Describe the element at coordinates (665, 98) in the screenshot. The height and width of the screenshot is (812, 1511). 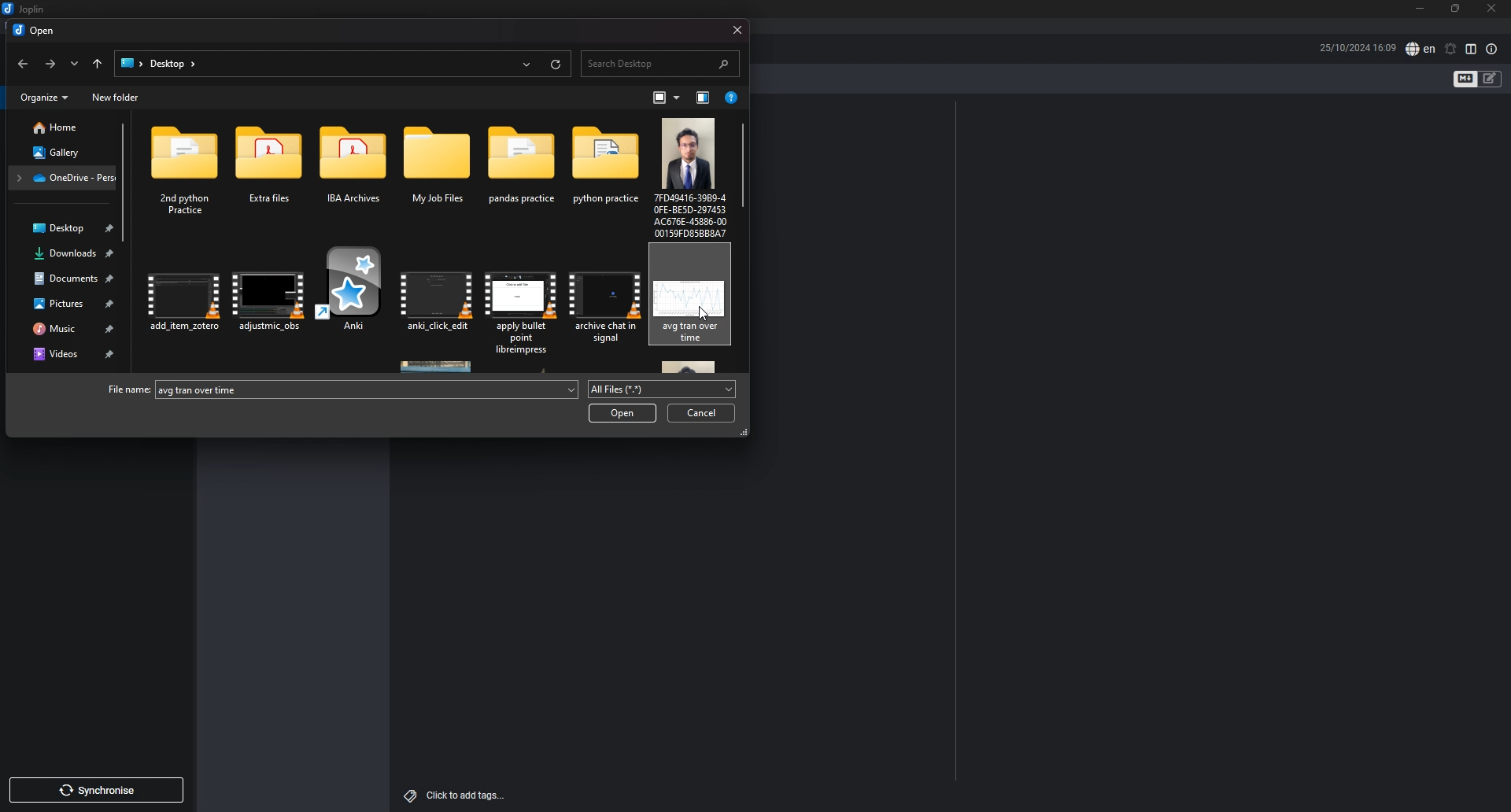
I see `change your view` at that location.